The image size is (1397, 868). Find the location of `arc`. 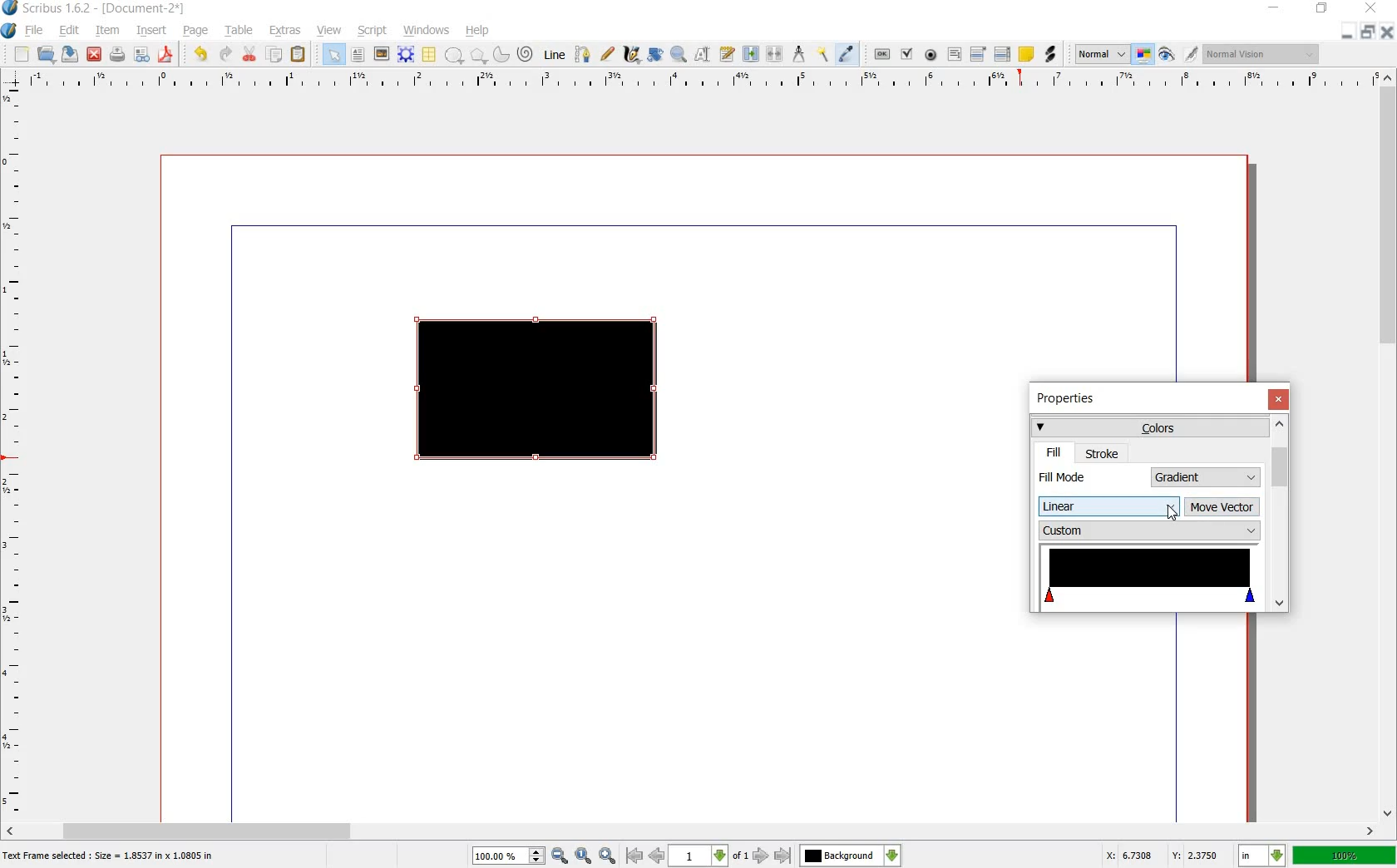

arc is located at coordinates (500, 53).